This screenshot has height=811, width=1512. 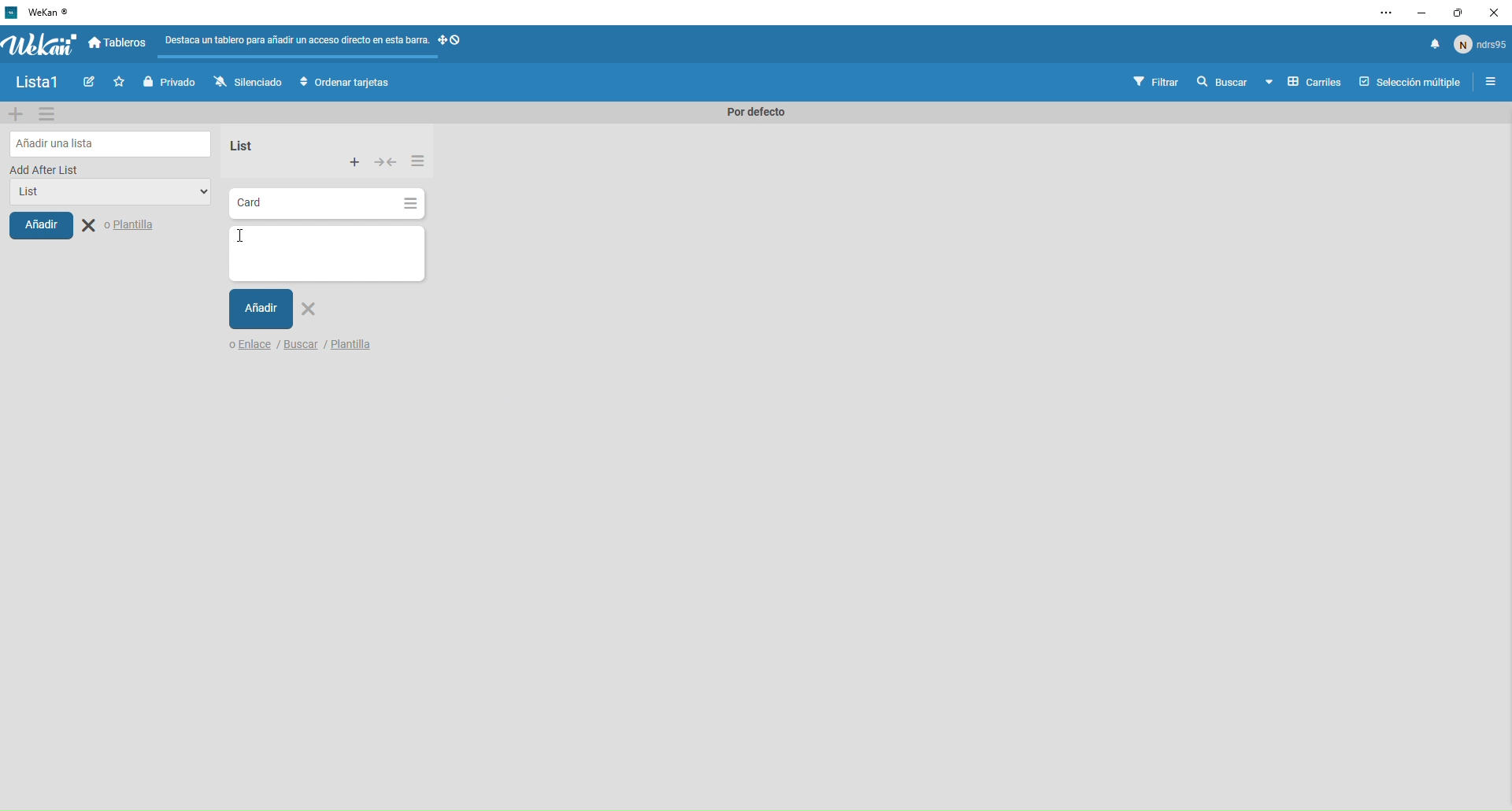 I want to click on List, so click(x=104, y=194).